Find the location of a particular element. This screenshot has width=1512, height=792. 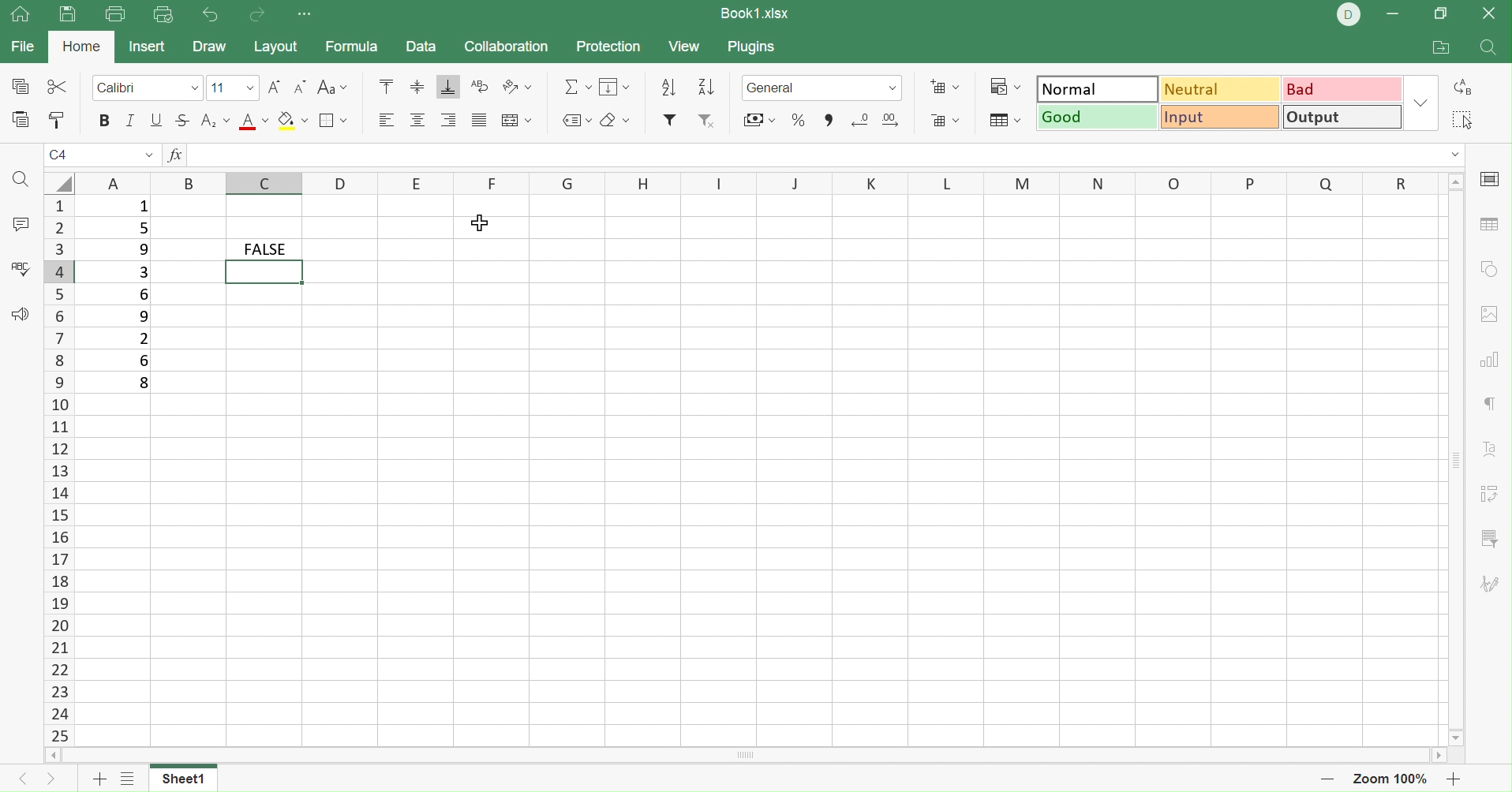

Row names is located at coordinates (58, 470).